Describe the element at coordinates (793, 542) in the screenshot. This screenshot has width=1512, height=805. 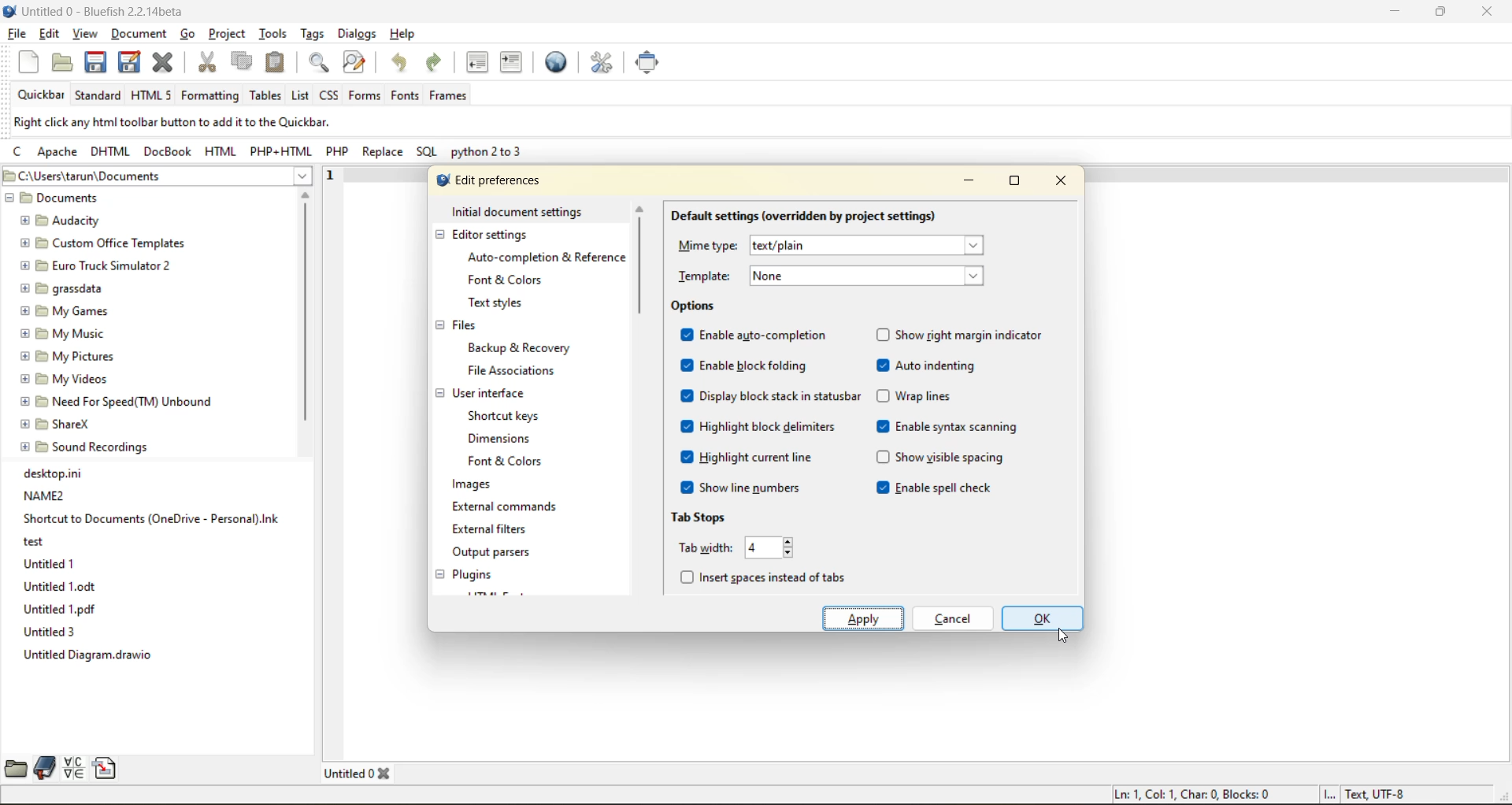
I see `increase` at that location.